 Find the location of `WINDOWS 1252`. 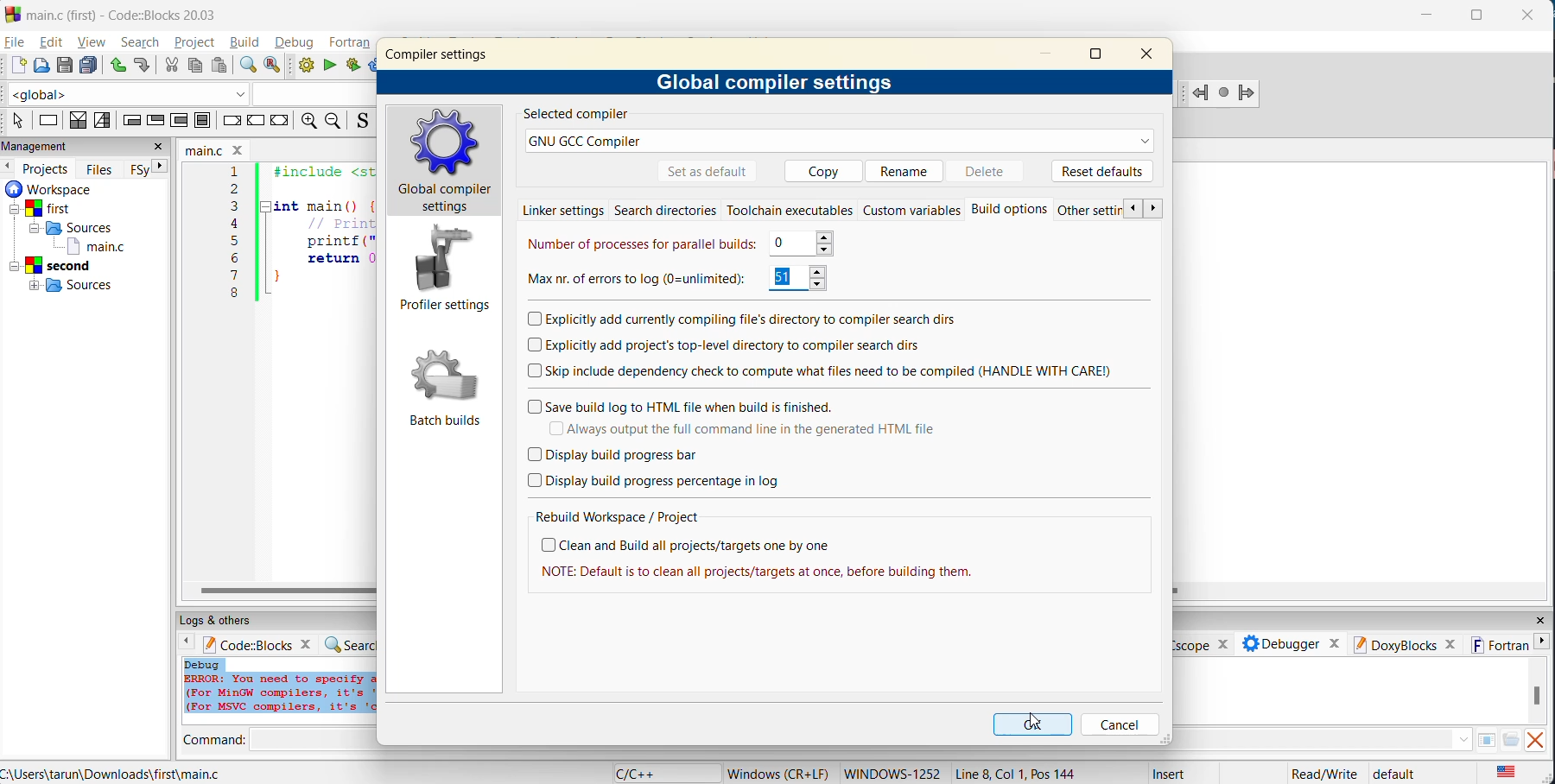

WINDOWS 1252 is located at coordinates (890, 774).